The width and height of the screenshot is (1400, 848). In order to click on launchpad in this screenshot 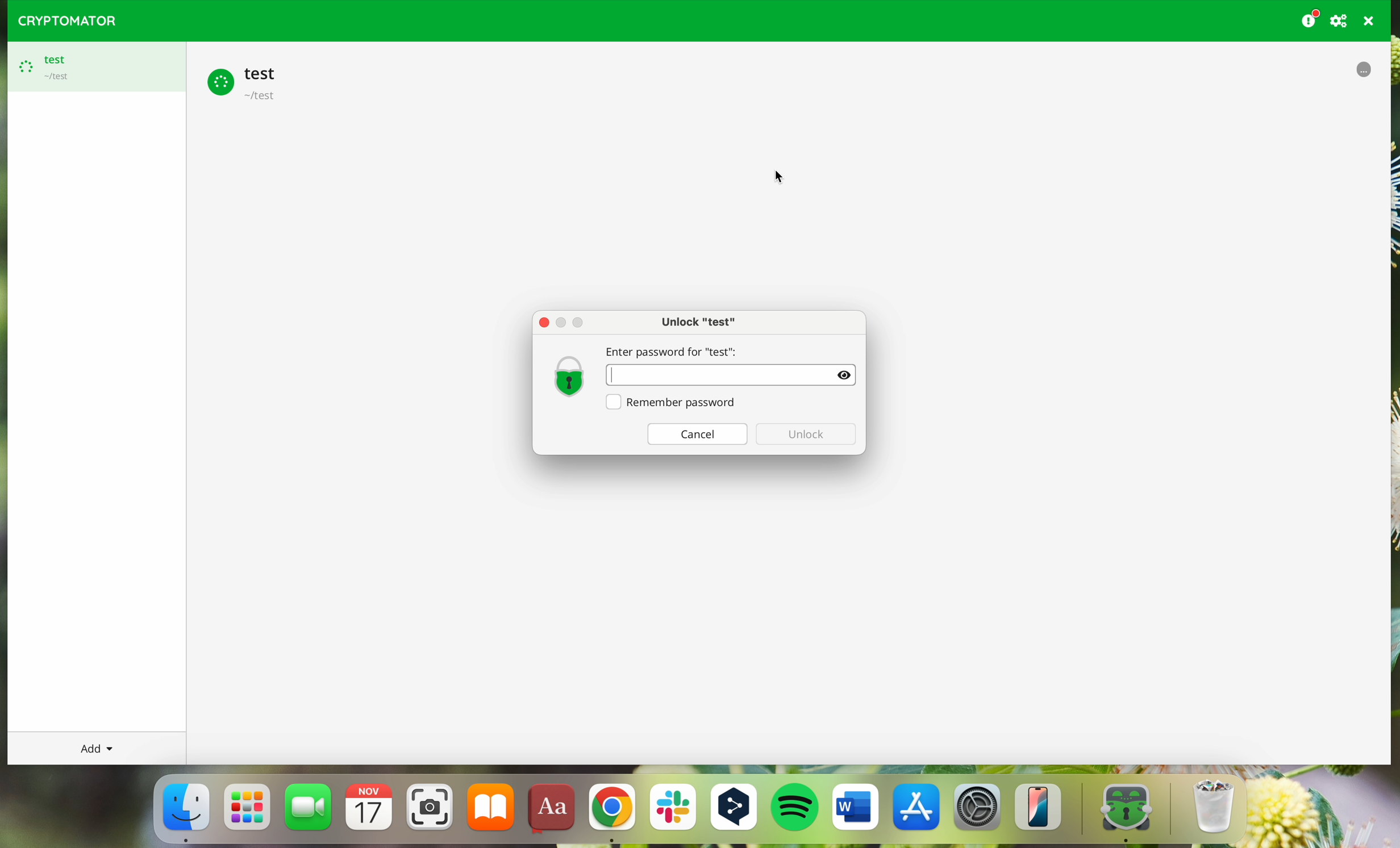, I will do `click(248, 807)`.